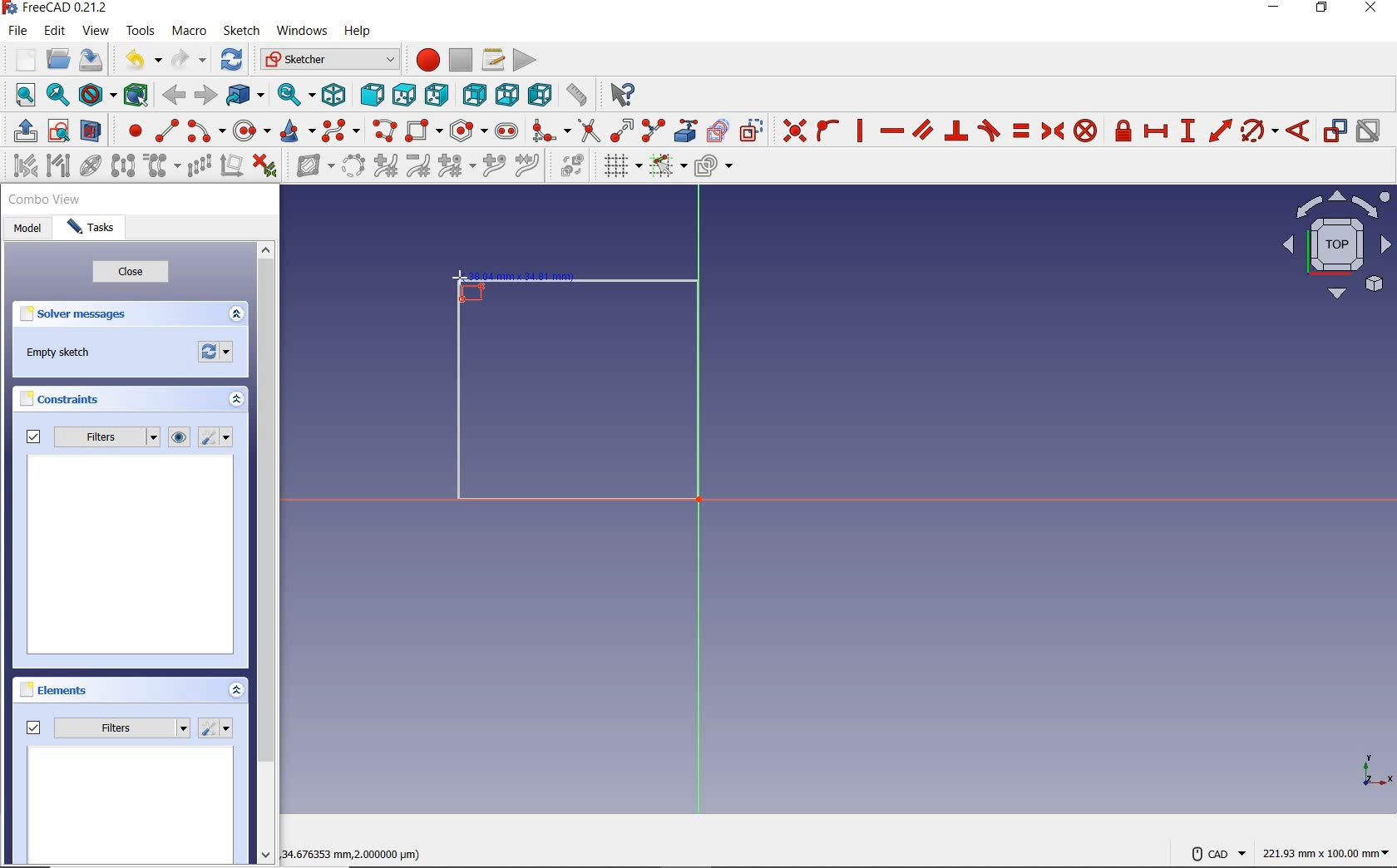 The width and height of the screenshot is (1397, 868). Describe the element at coordinates (861, 133) in the screenshot. I see `constrain vertically` at that location.